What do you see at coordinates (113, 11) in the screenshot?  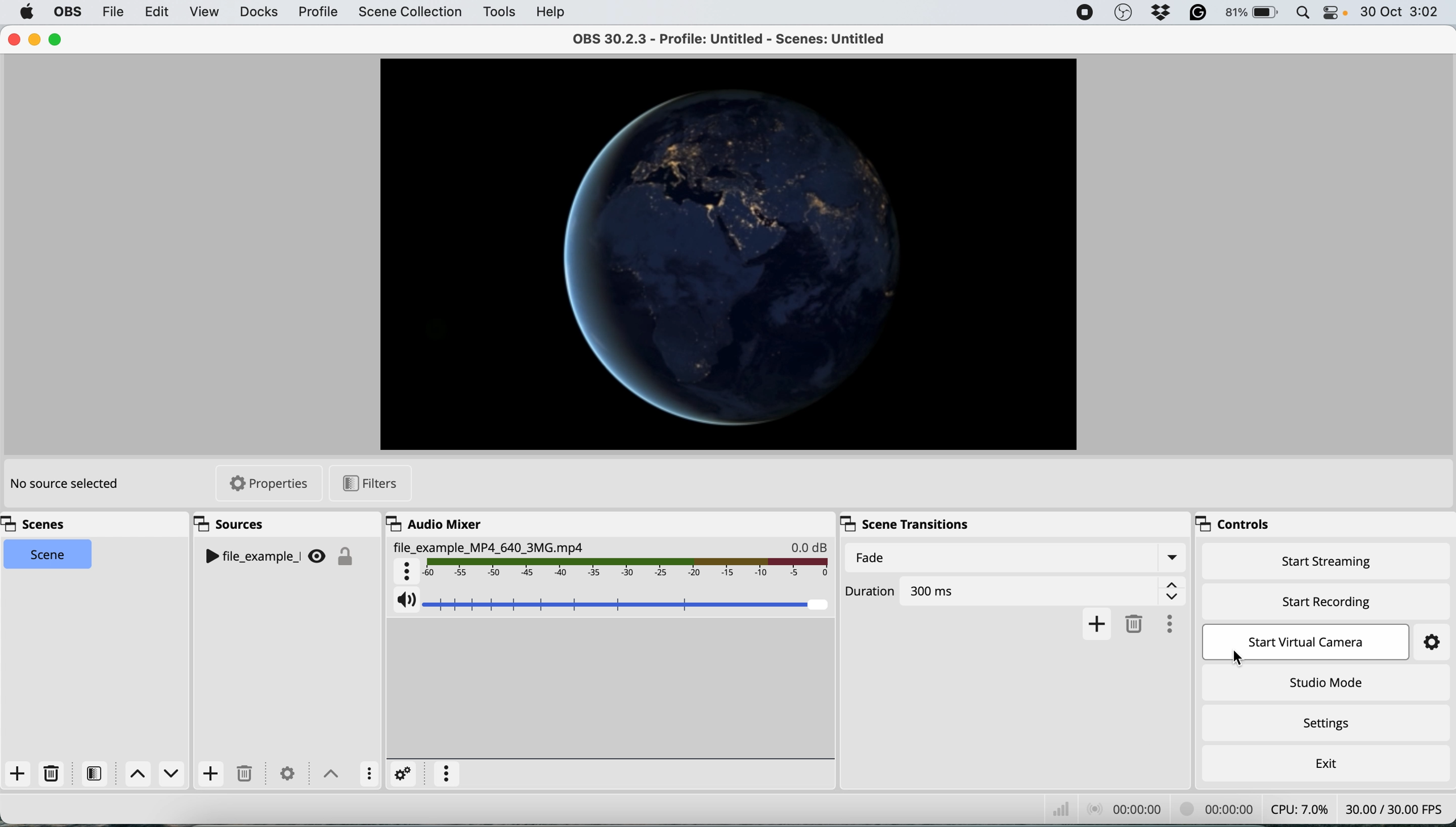 I see `file` at bounding box center [113, 11].